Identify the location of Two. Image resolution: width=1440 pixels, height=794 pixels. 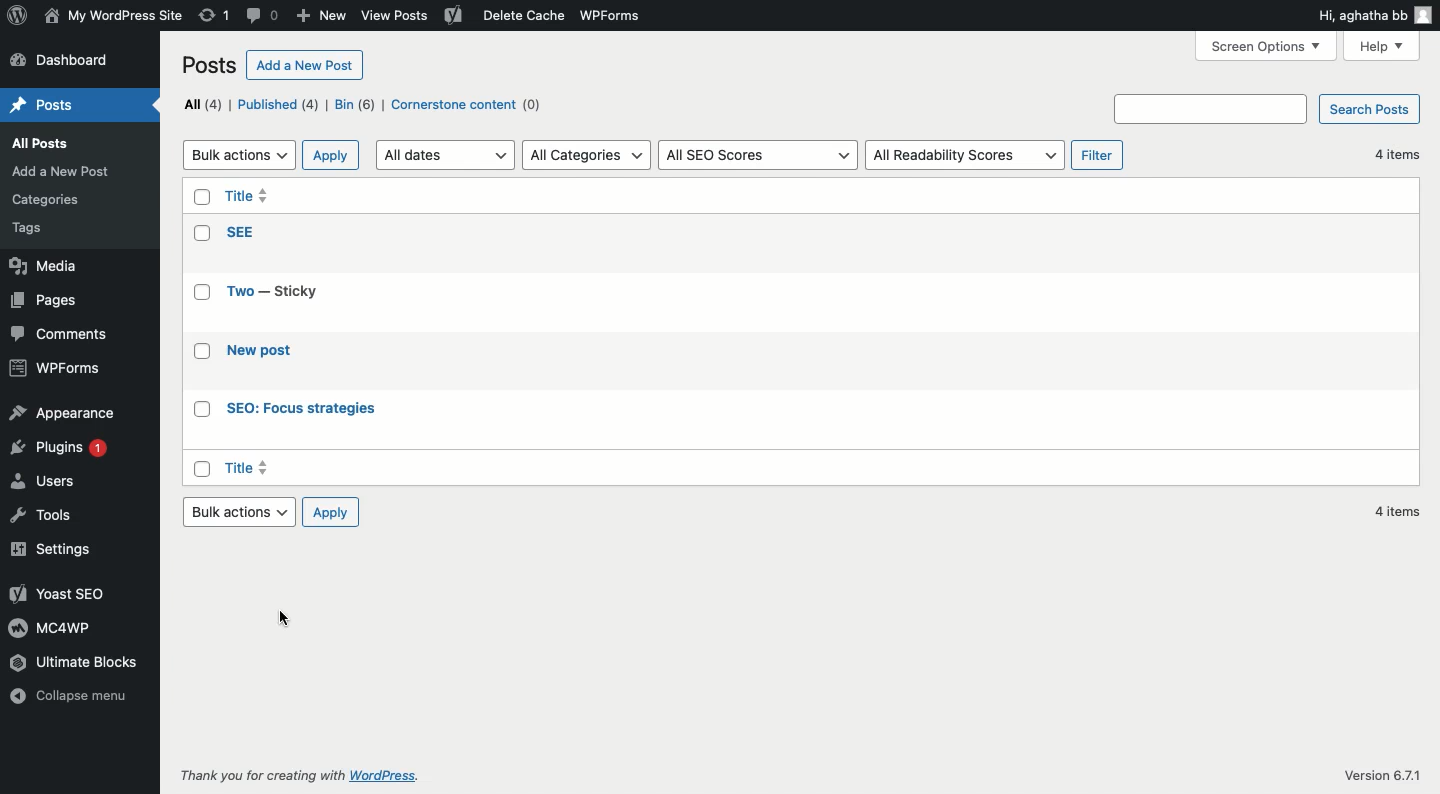
(282, 289).